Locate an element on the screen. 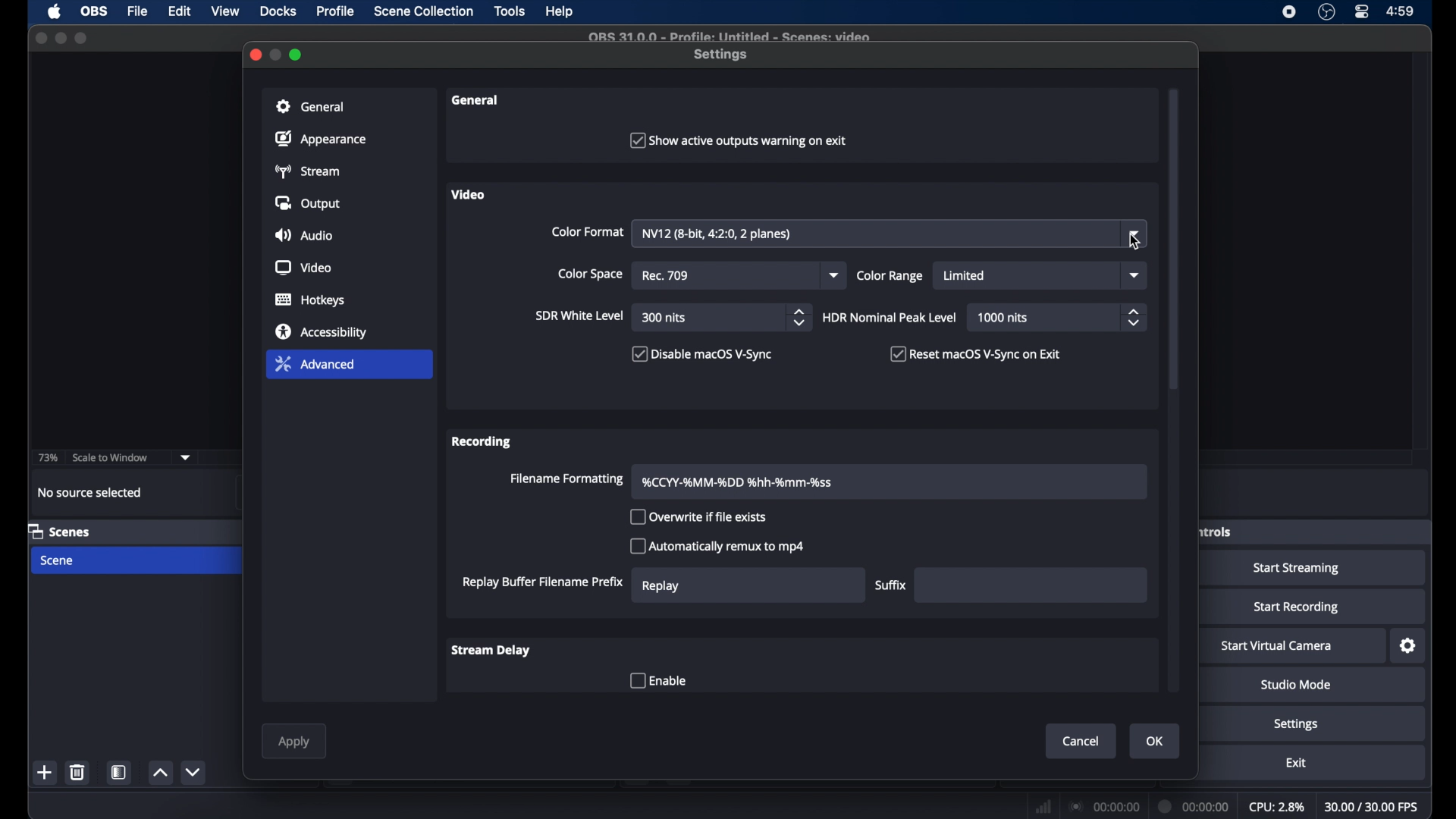 The image size is (1456, 819). close is located at coordinates (256, 55).